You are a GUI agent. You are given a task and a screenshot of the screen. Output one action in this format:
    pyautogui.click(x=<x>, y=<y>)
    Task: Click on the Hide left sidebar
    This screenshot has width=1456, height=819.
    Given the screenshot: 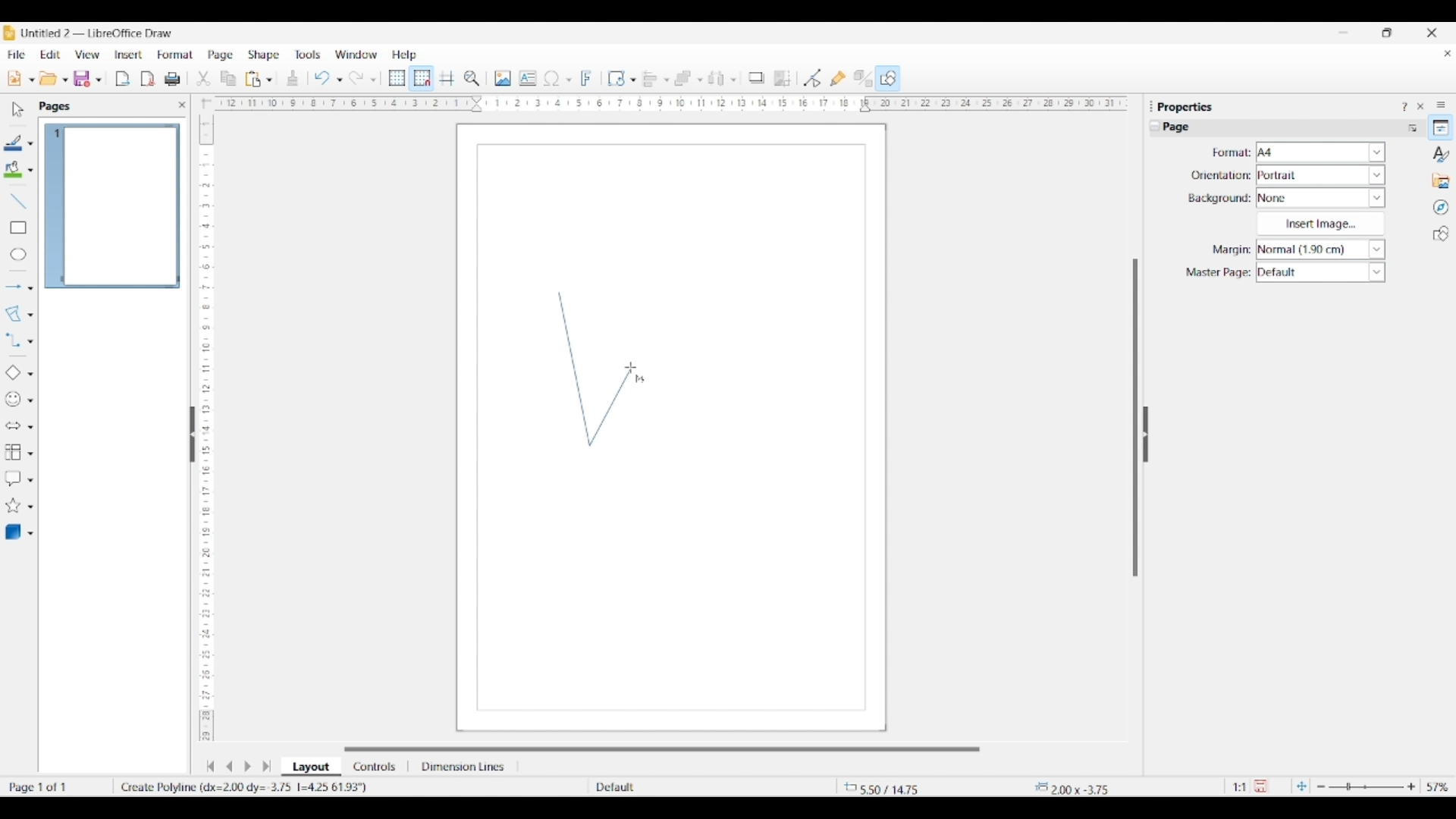 What is the action you would take?
    pyautogui.click(x=193, y=435)
    